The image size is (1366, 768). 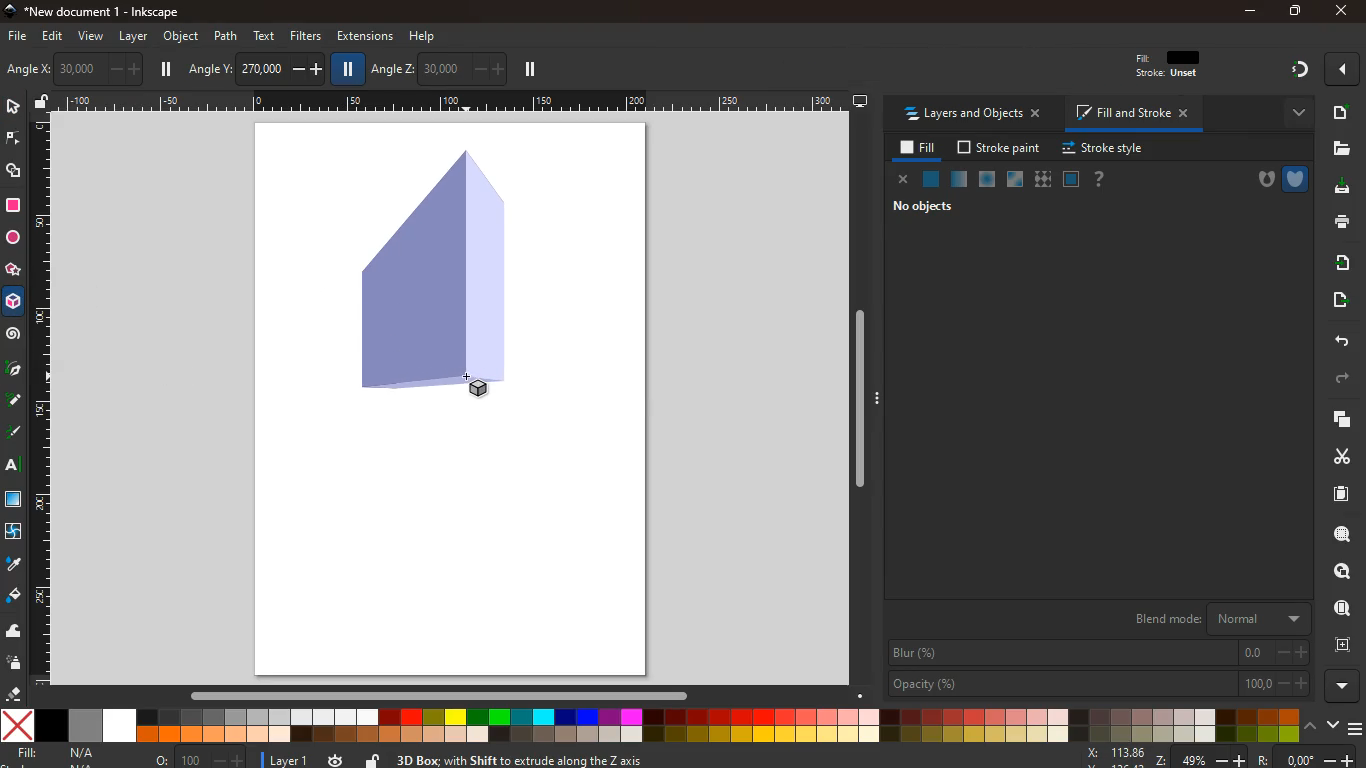 What do you see at coordinates (334, 760) in the screenshot?
I see `time` at bounding box center [334, 760].